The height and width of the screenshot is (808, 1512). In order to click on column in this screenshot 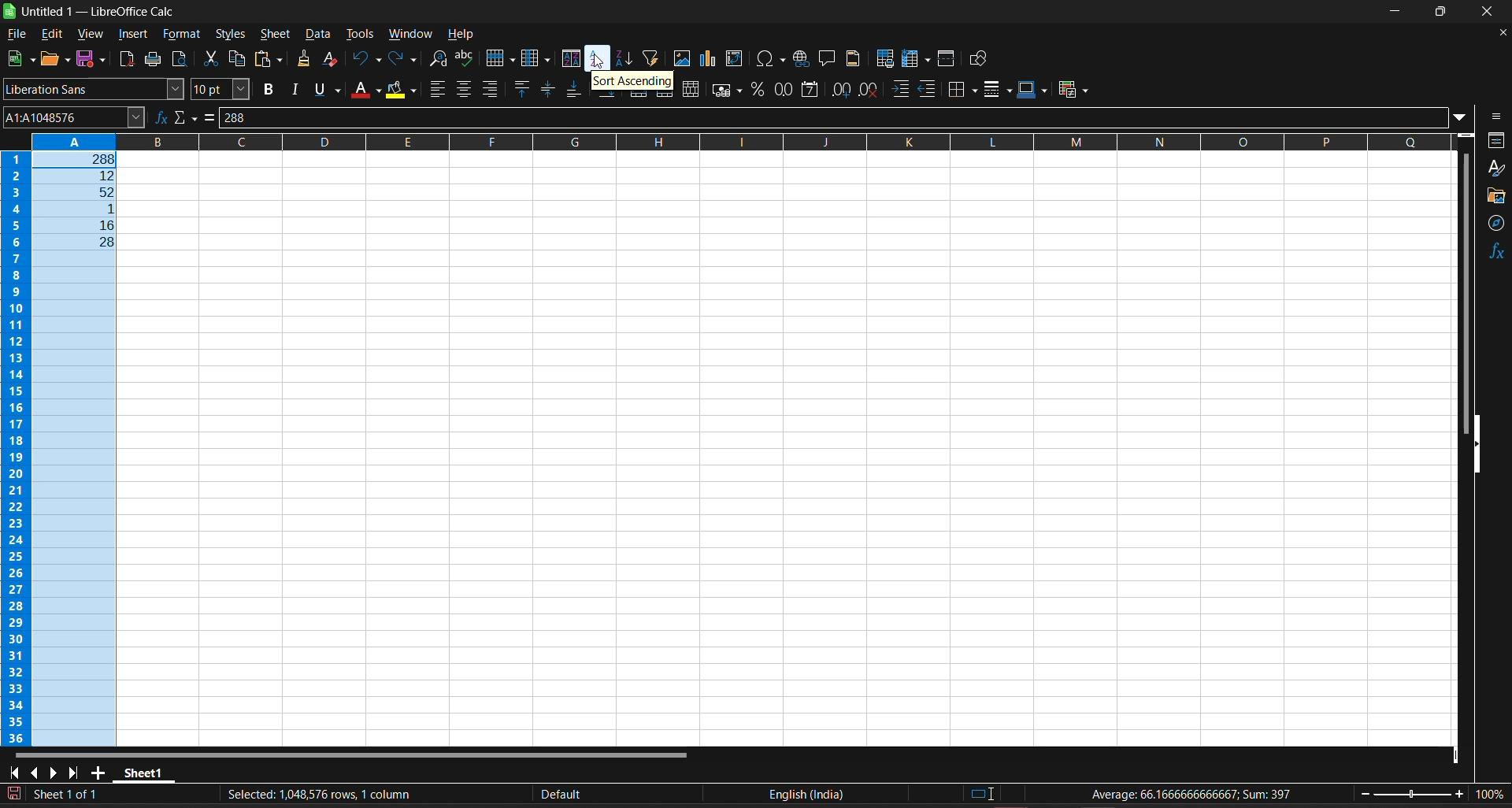, I will do `click(534, 59)`.